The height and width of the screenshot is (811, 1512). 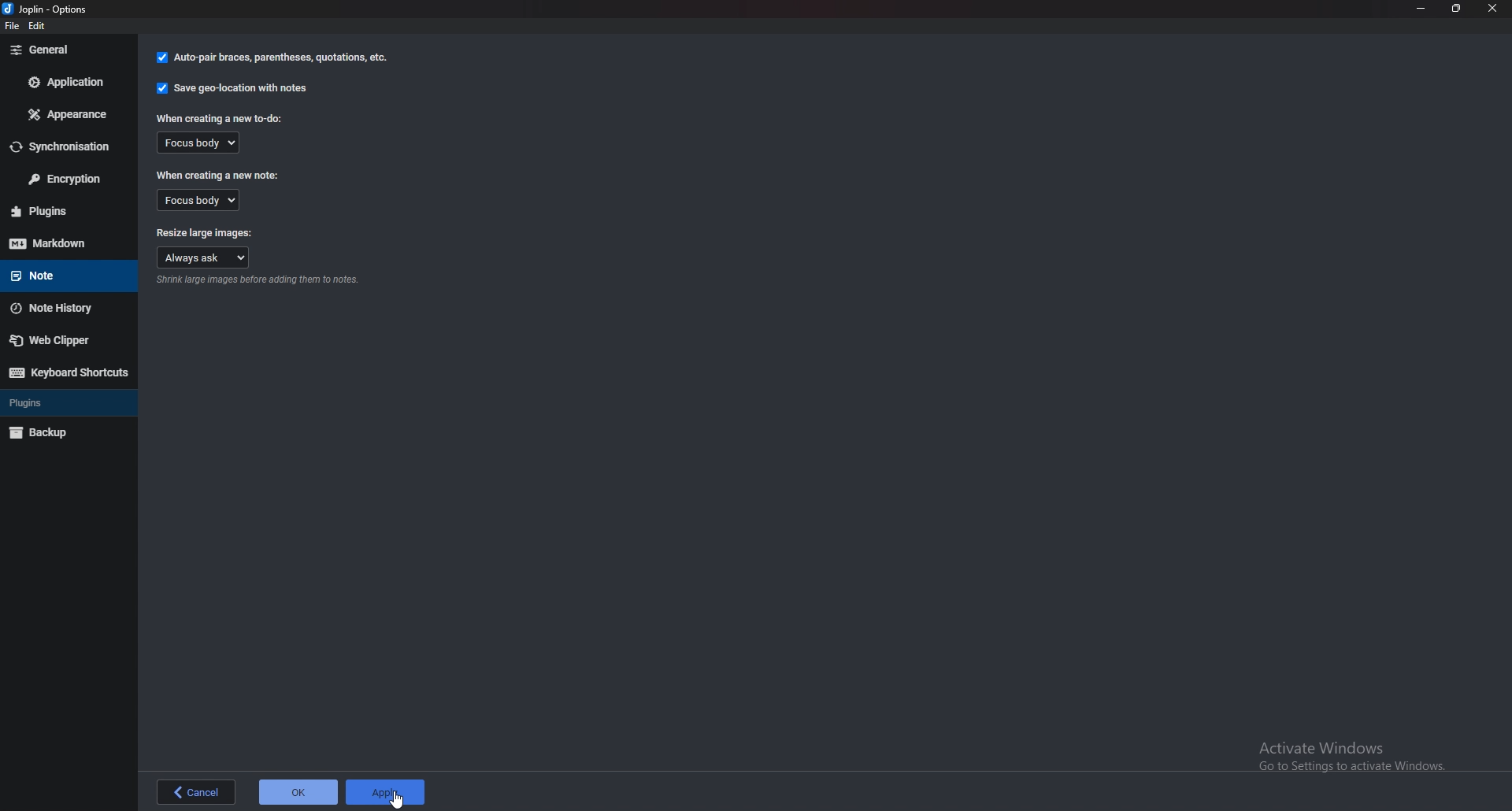 What do you see at coordinates (205, 231) in the screenshot?
I see `Resize large images` at bounding box center [205, 231].